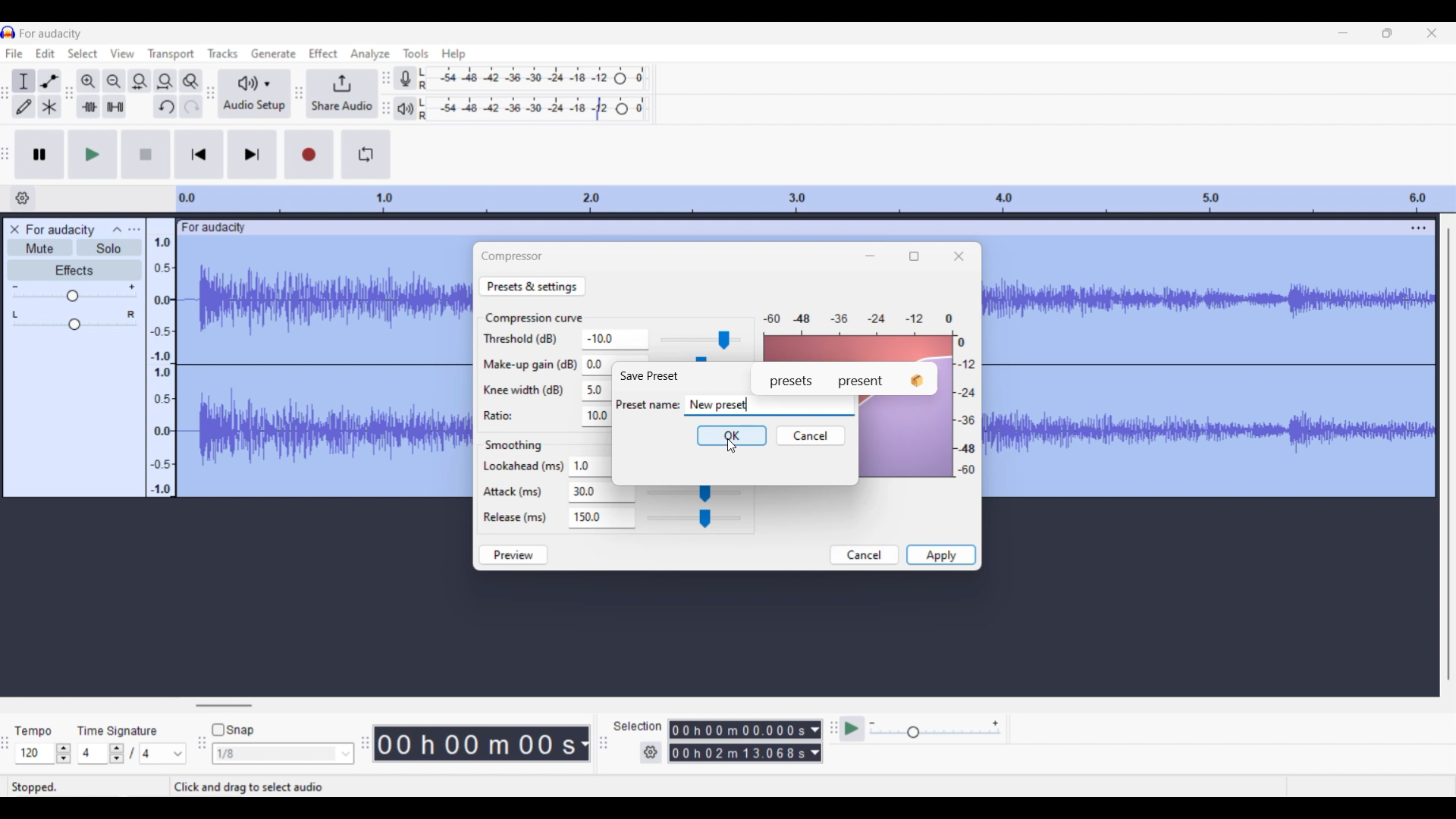 This screenshot has height=819, width=1456. What do you see at coordinates (845, 378) in the screenshot?
I see `Presets Present` at bounding box center [845, 378].